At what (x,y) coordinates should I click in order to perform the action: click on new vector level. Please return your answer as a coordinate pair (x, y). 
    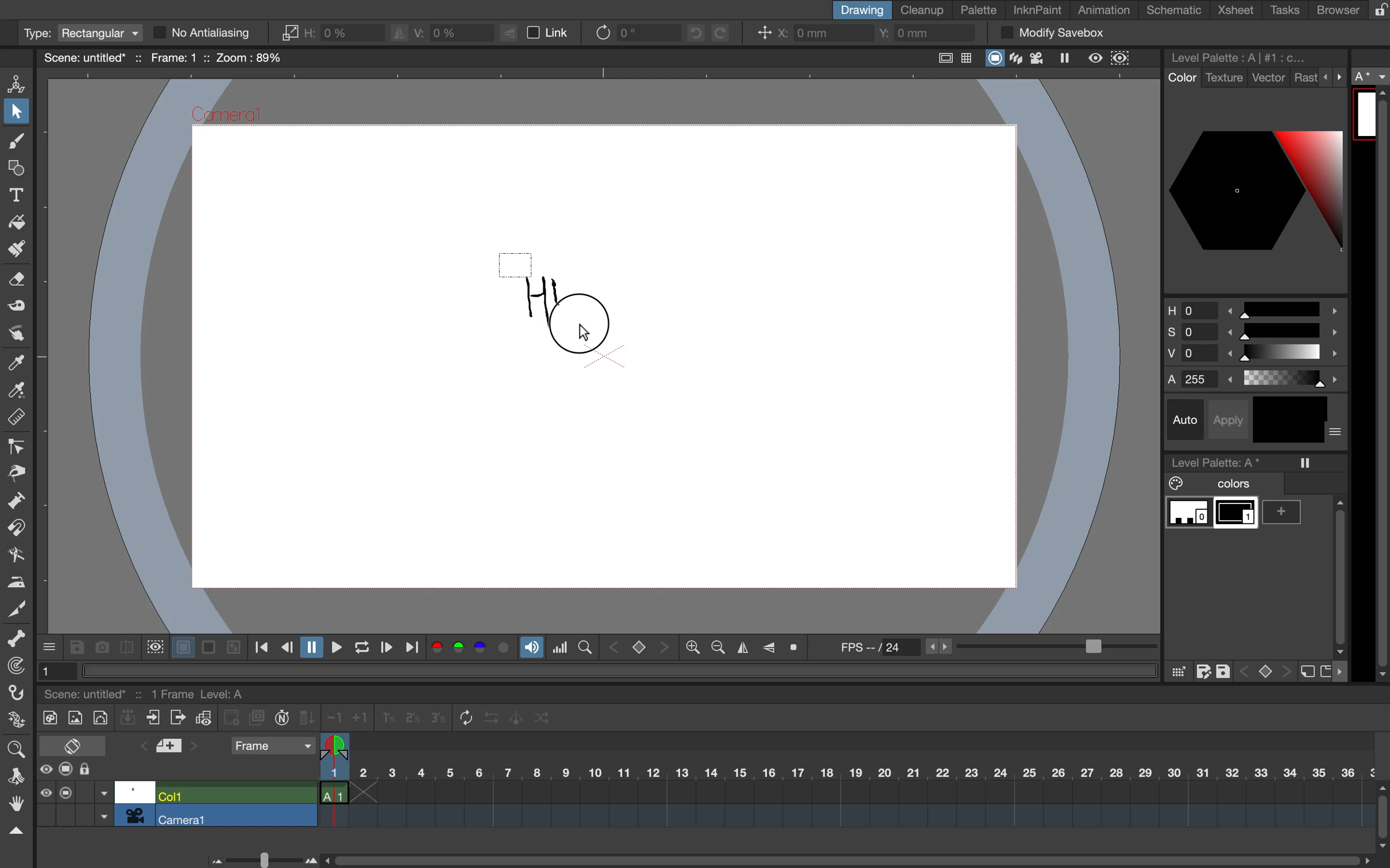
    Looking at the image, I should click on (100, 716).